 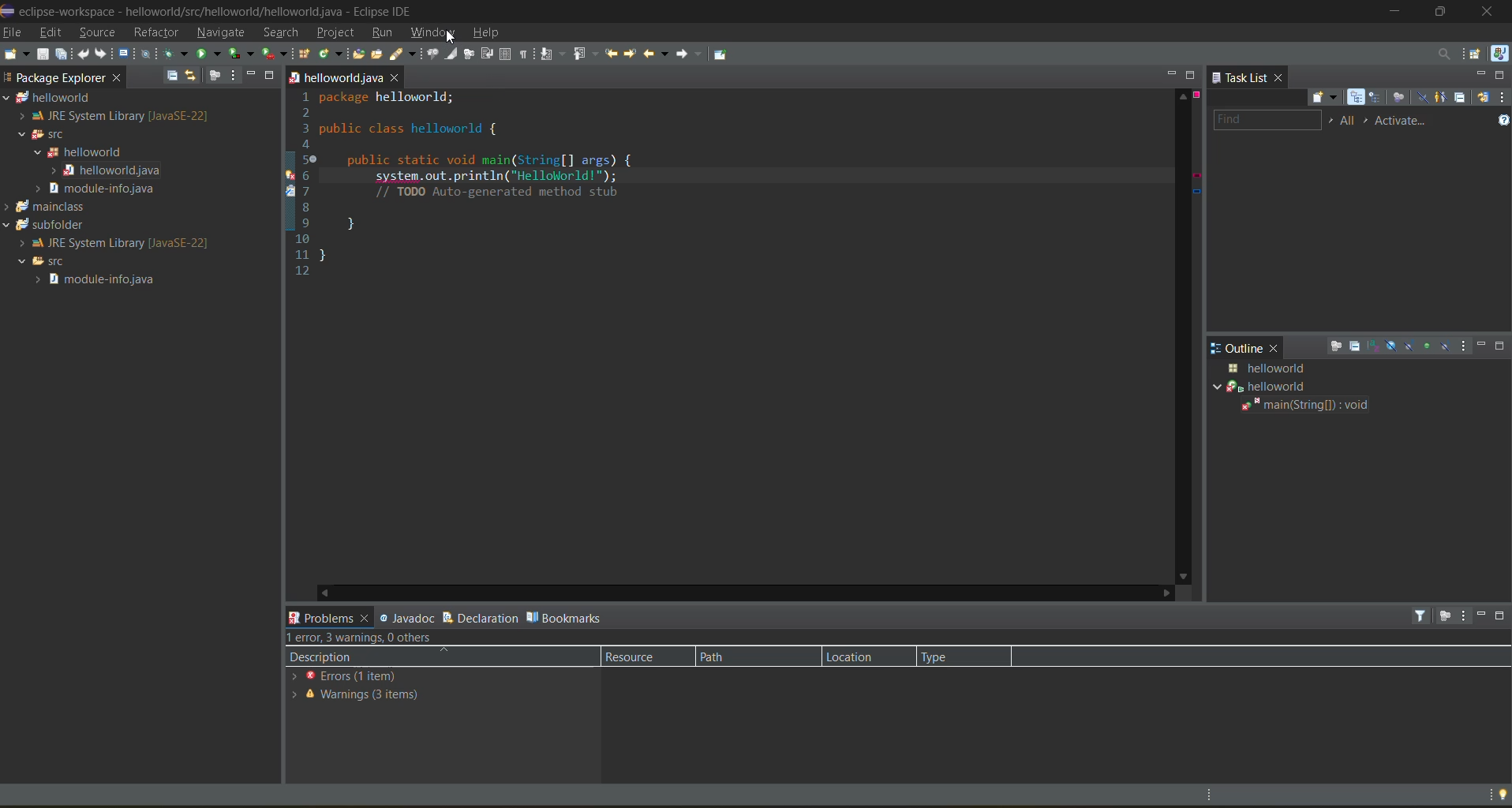 What do you see at coordinates (470, 55) in the screenshot?
I see `automatically fold uninteresting elements` at bounding box center [470, 55].